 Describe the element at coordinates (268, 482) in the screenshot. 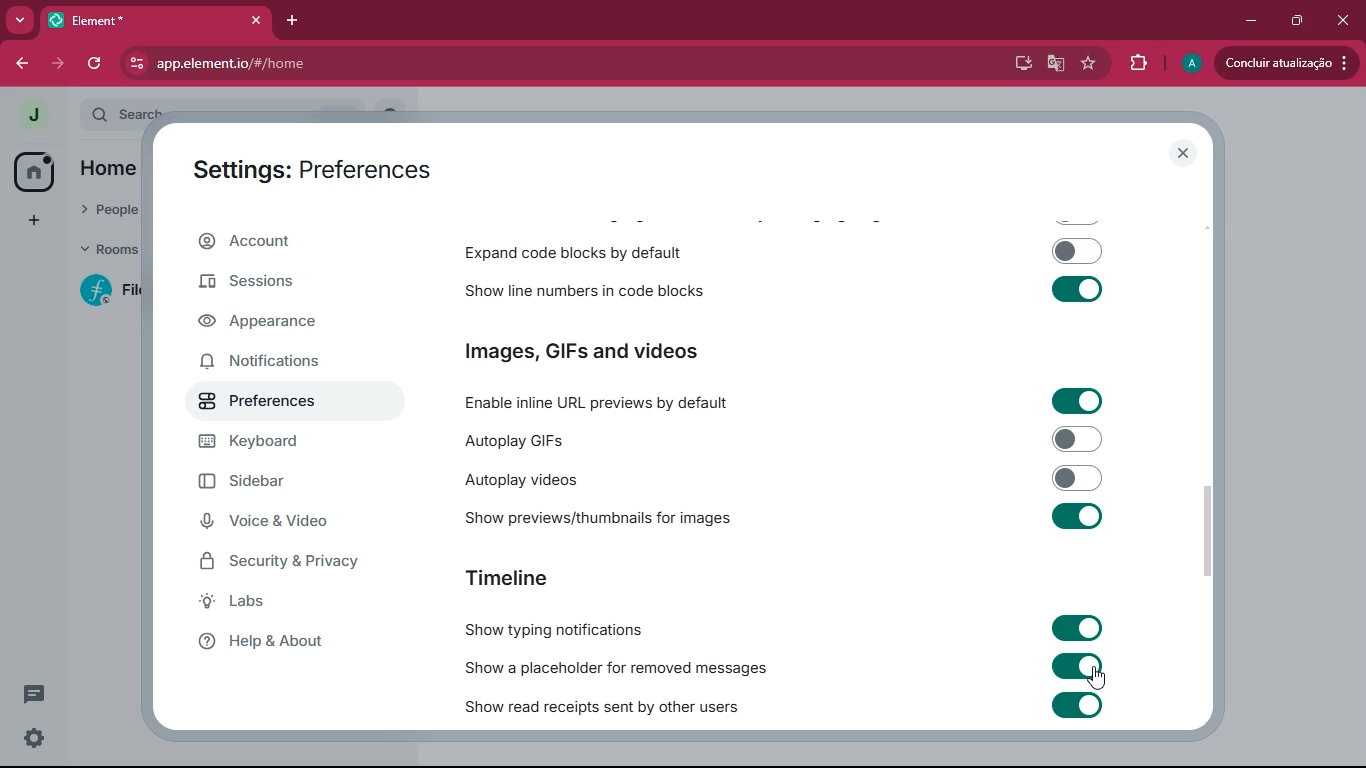

I see `sidebar` at that location.